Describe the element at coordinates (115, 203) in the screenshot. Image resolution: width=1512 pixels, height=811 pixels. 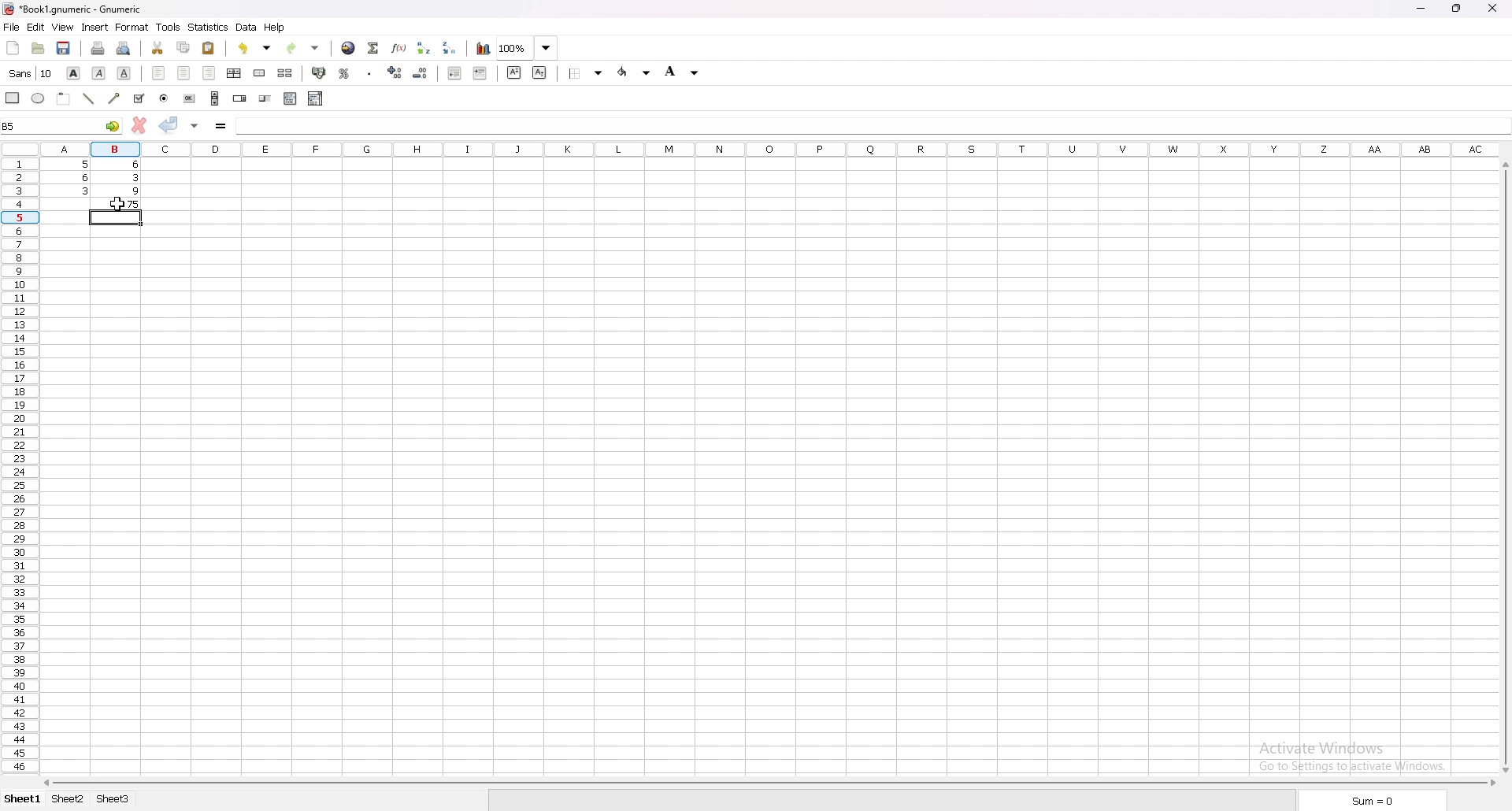
I see `75` at that location.